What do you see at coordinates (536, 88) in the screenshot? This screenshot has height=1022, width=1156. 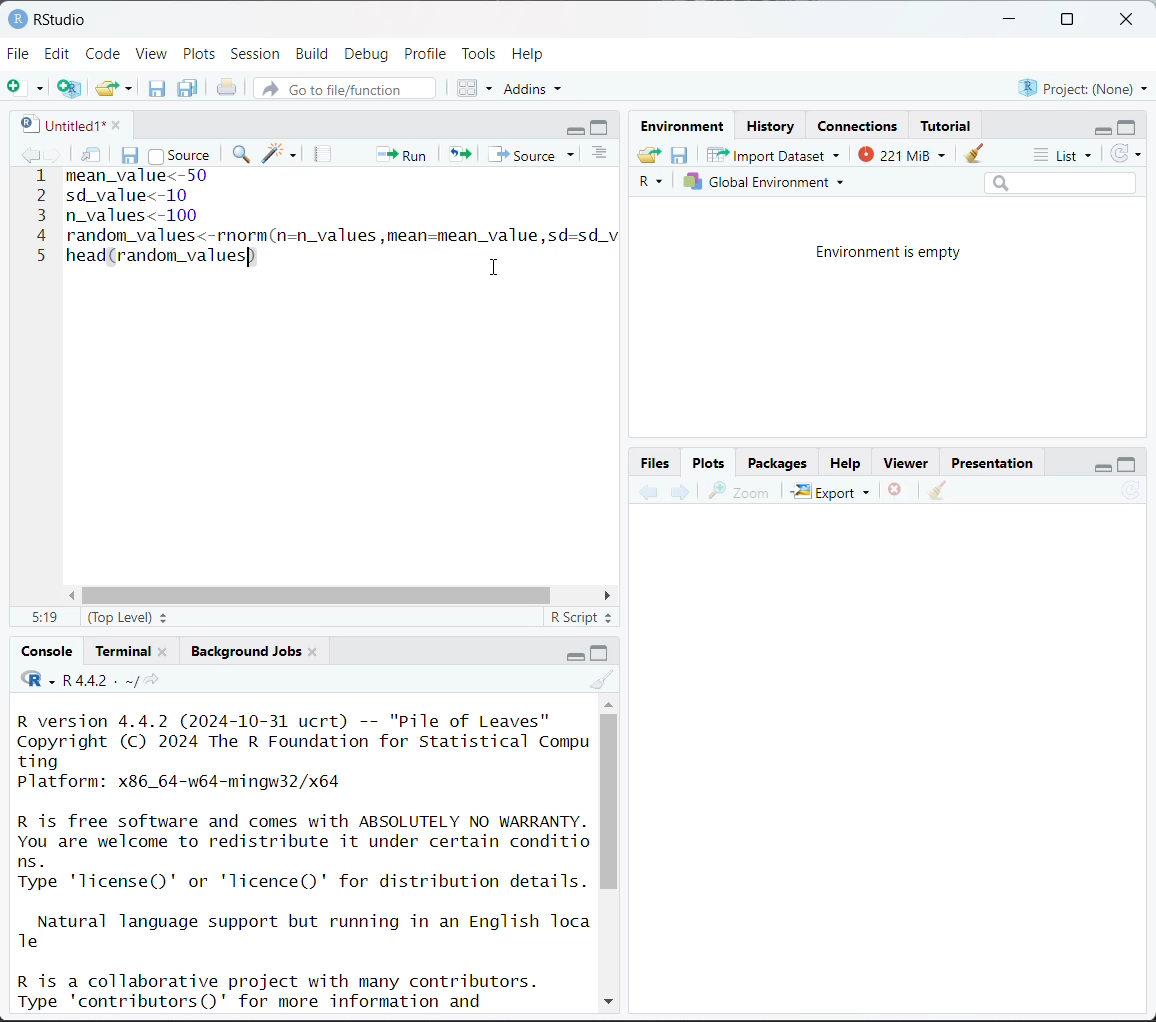 I see `addins` at bounding box center [536, 88].